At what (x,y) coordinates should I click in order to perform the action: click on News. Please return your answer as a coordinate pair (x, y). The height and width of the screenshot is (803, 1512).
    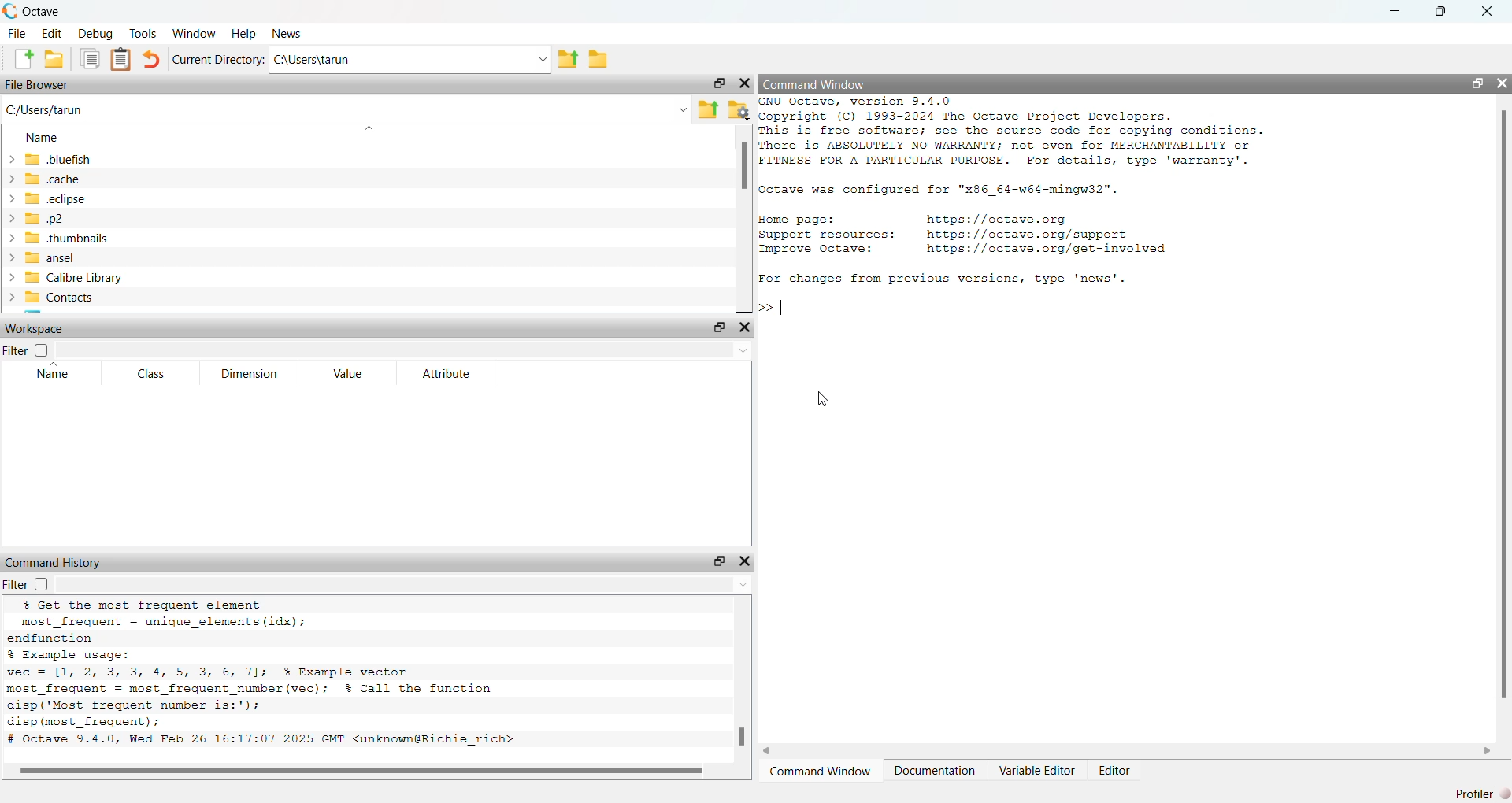
    Looking at the image, I should click on (286, 33).